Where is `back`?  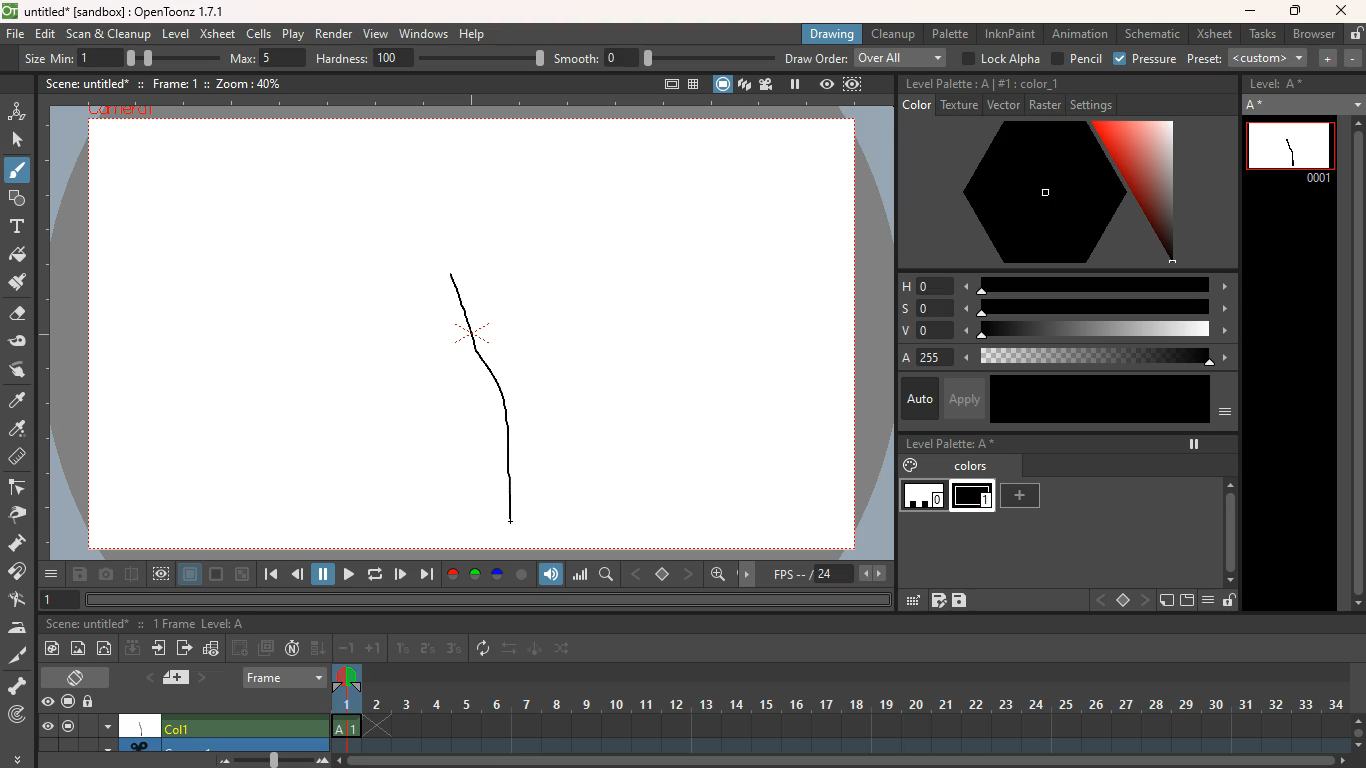
back is located at coordinates (1099, 600).